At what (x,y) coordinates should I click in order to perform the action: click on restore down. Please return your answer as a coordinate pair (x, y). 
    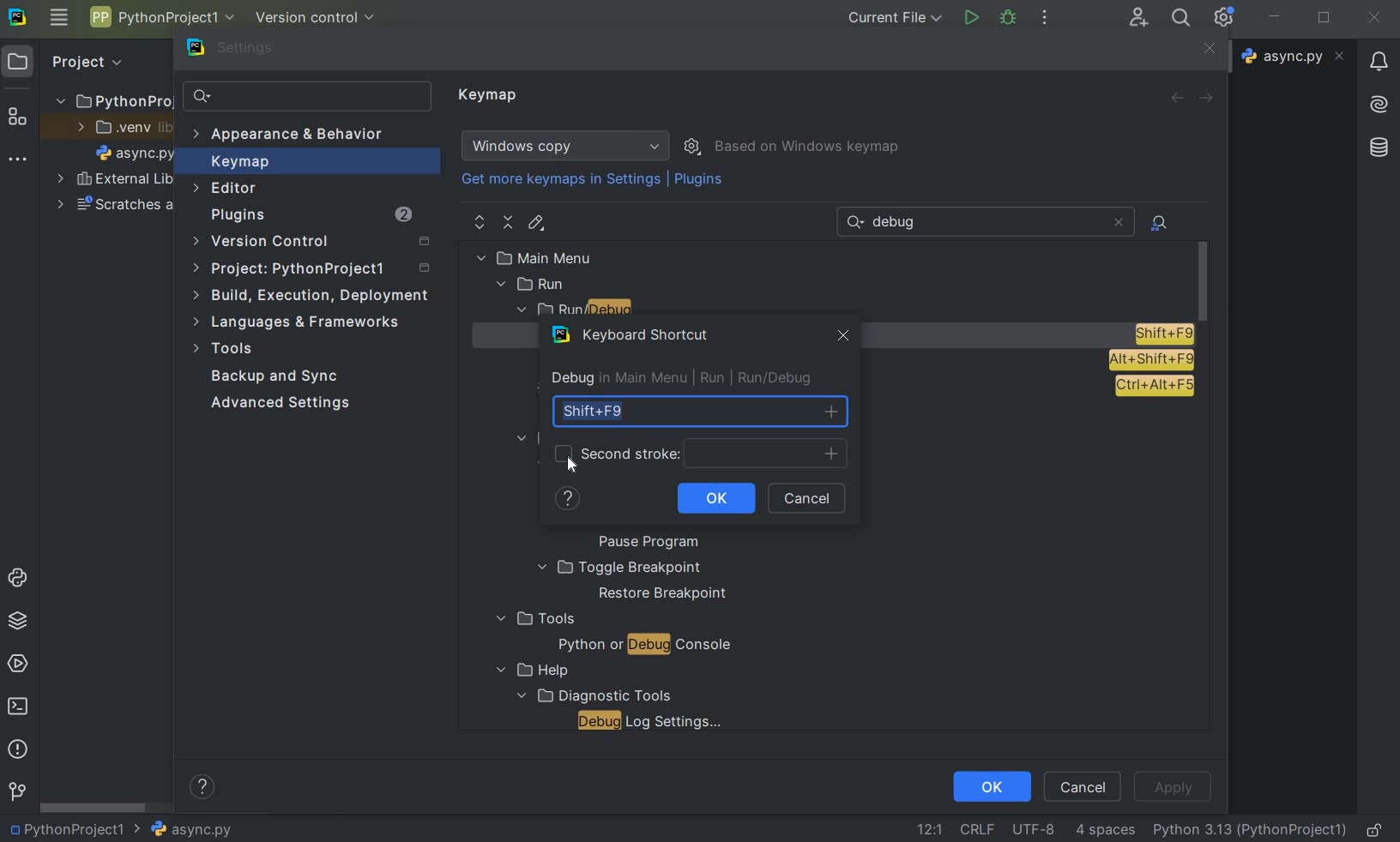
    Looking at the image, I should click on (1326, 20).